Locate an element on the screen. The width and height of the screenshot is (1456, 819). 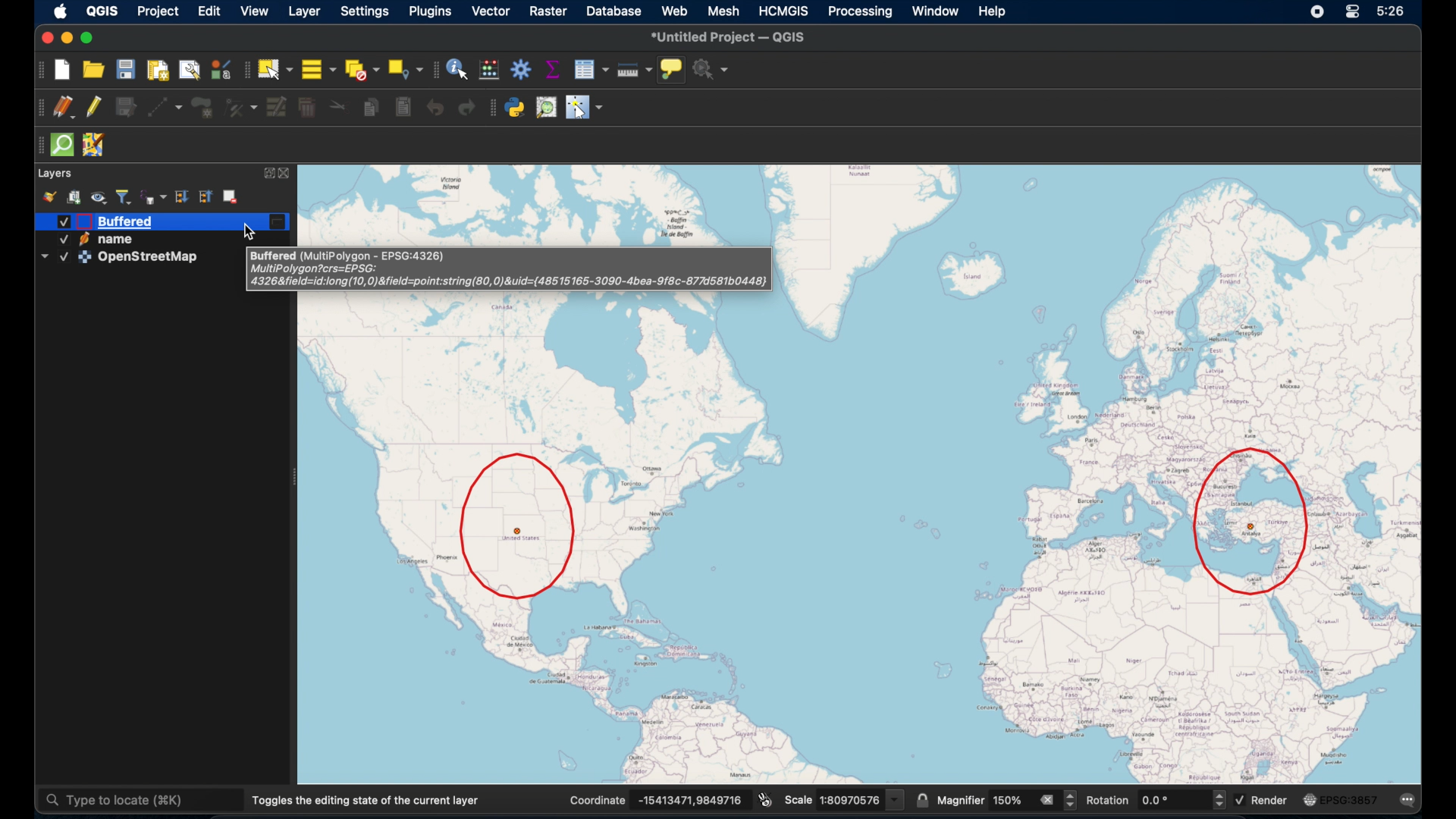
show attribute table is located at coordinates (593, 69).